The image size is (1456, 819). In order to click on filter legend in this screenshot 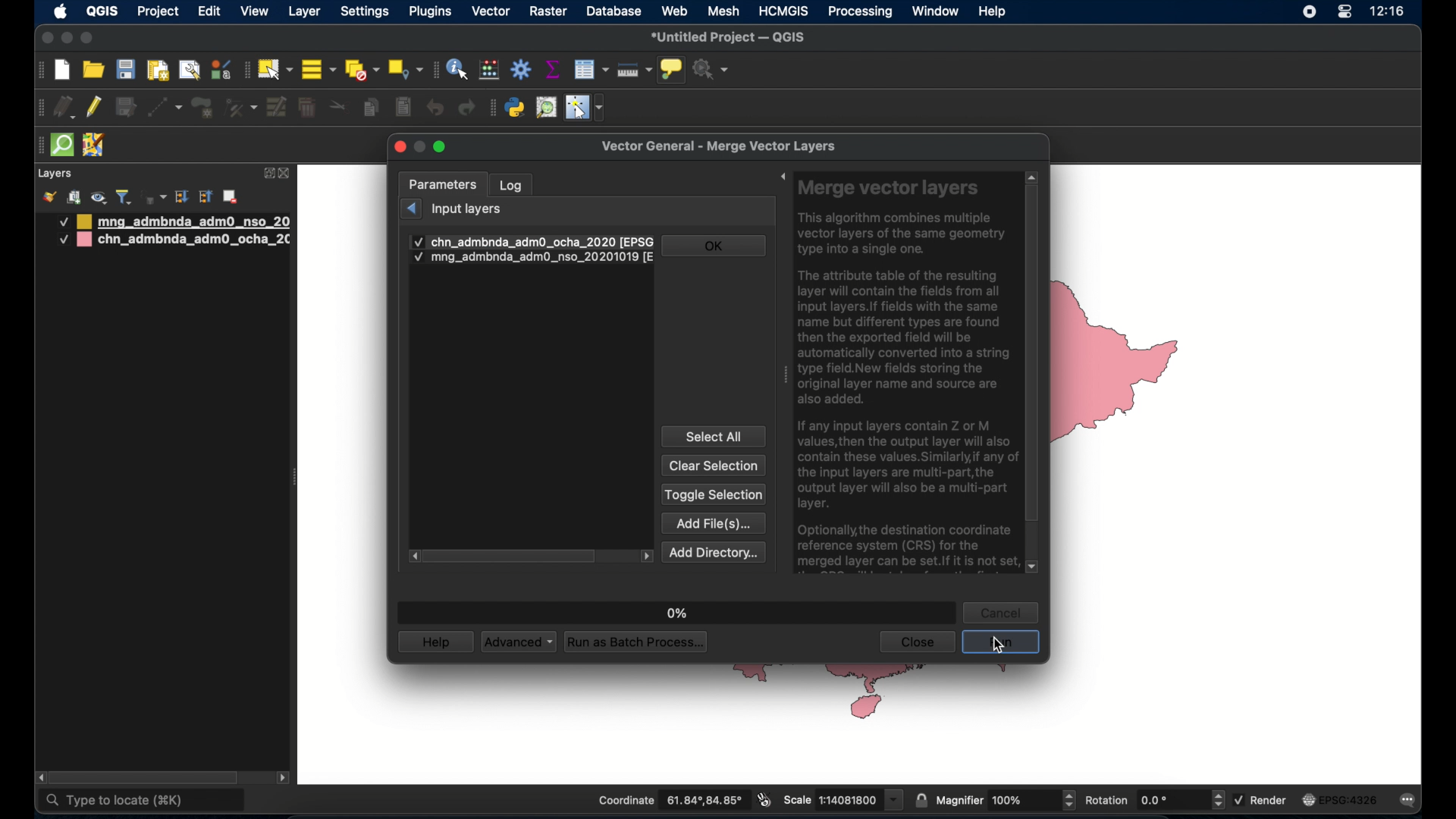, I will do `click(124, 197)`.